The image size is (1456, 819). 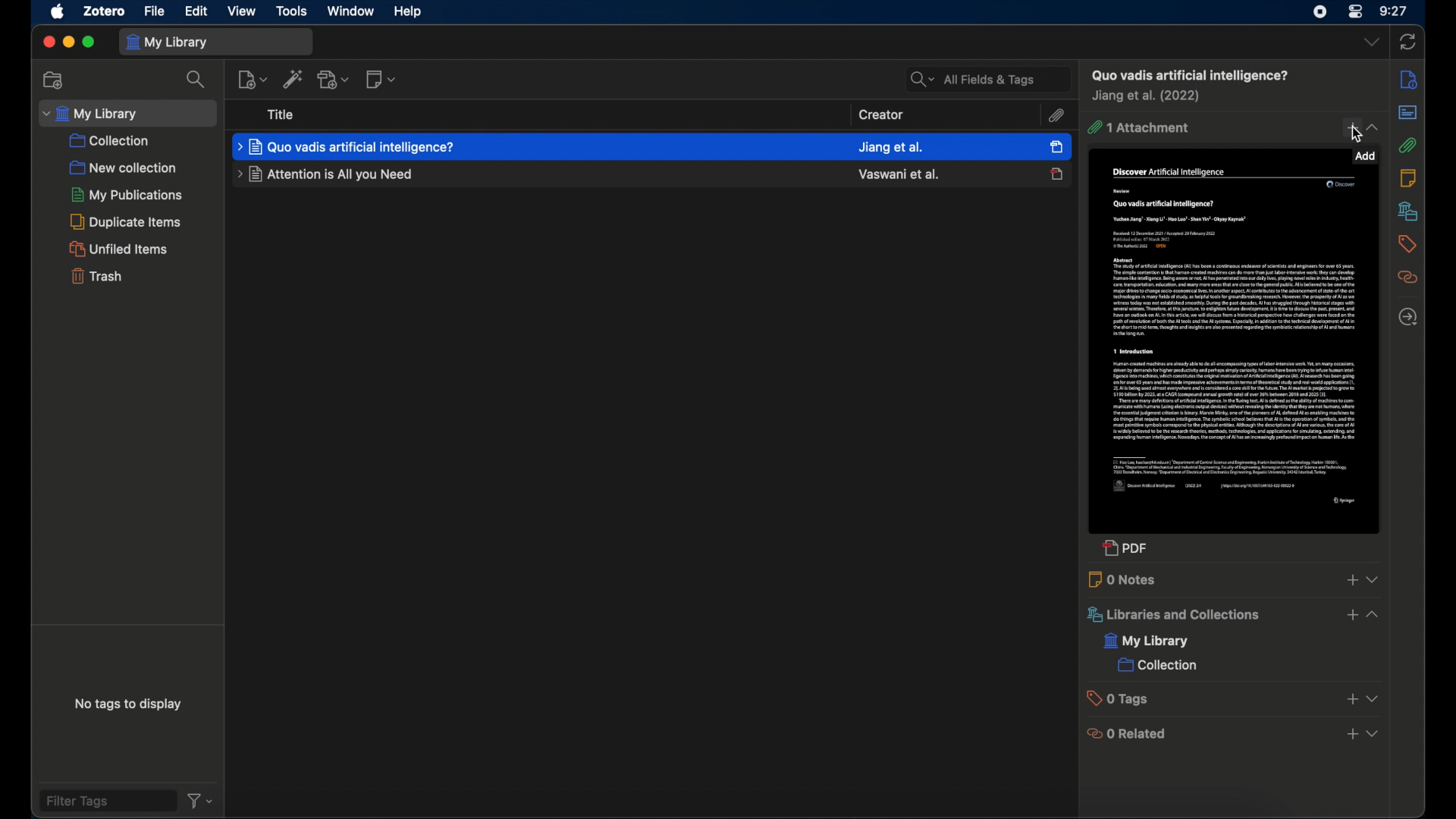 What do you see at coordinates (1375, 735) in the screenshot?
I see `dropdown menu` at bounding box center [1375, 735].